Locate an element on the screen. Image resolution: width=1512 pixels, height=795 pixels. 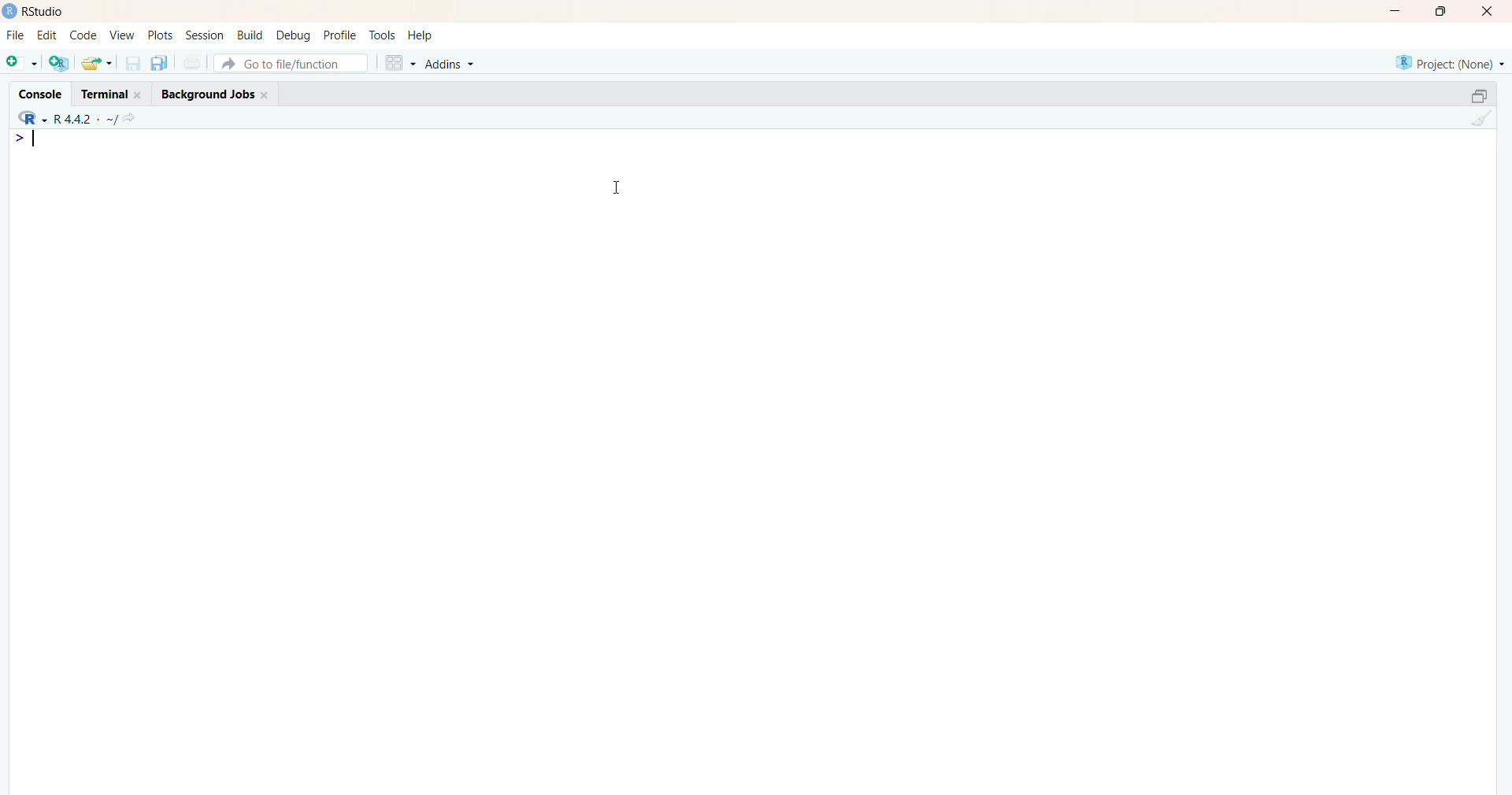
cursor is located at coordinates (617, 187).